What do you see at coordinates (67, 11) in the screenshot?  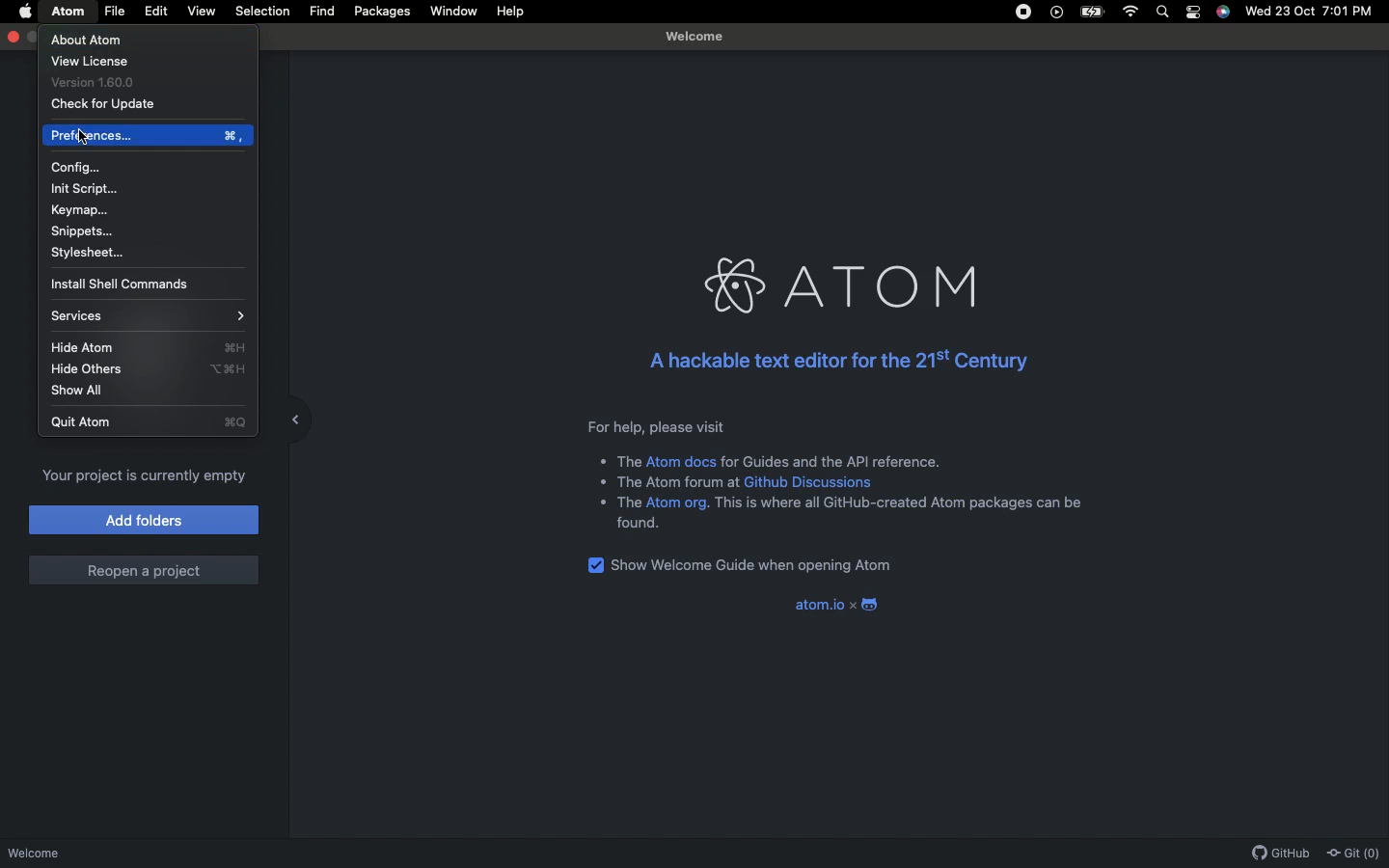 I see `Atom` at bounding box center [67, 11].